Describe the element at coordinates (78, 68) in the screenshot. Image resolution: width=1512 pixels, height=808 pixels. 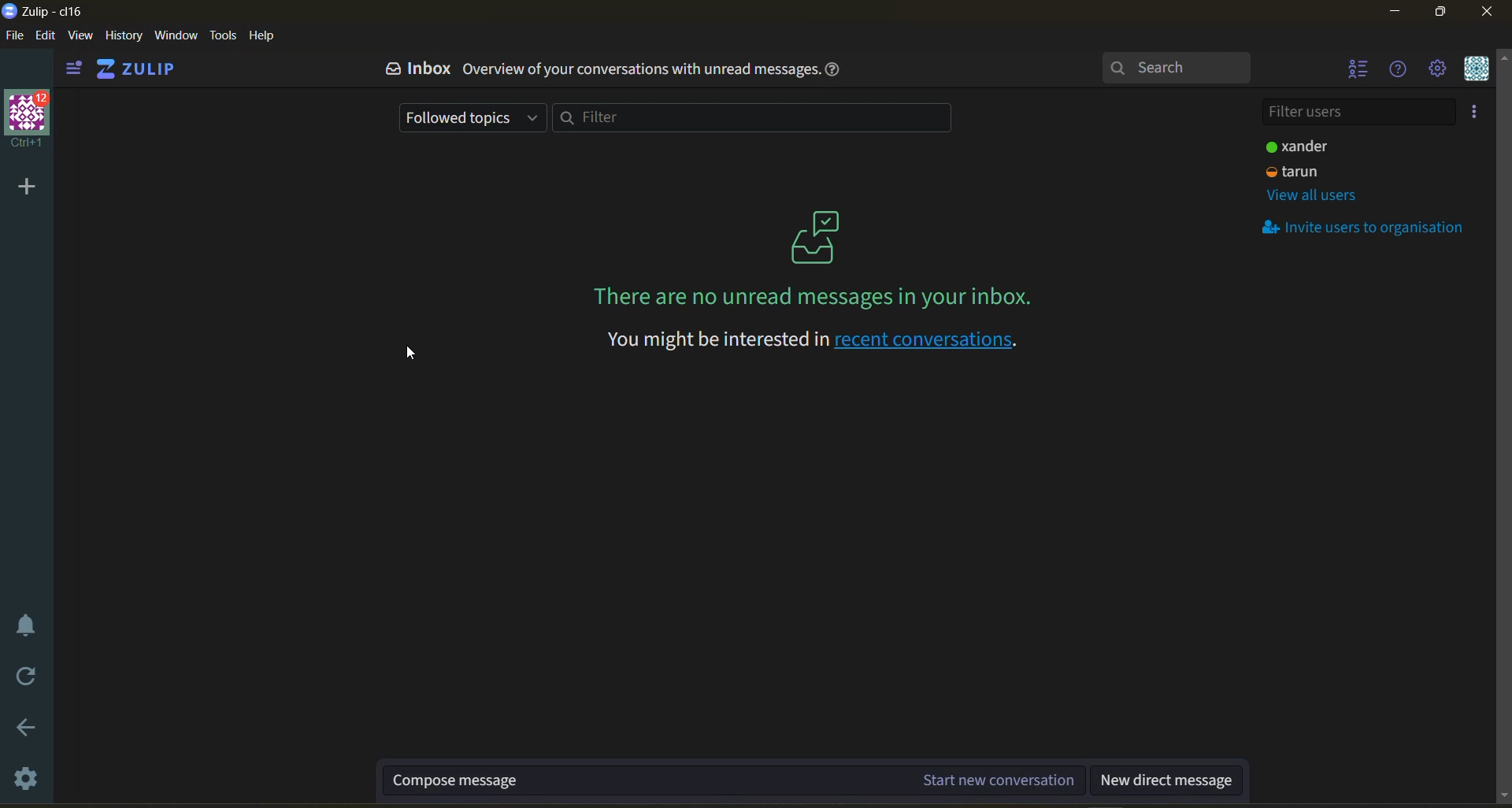
I see `show left side bar` at that location.